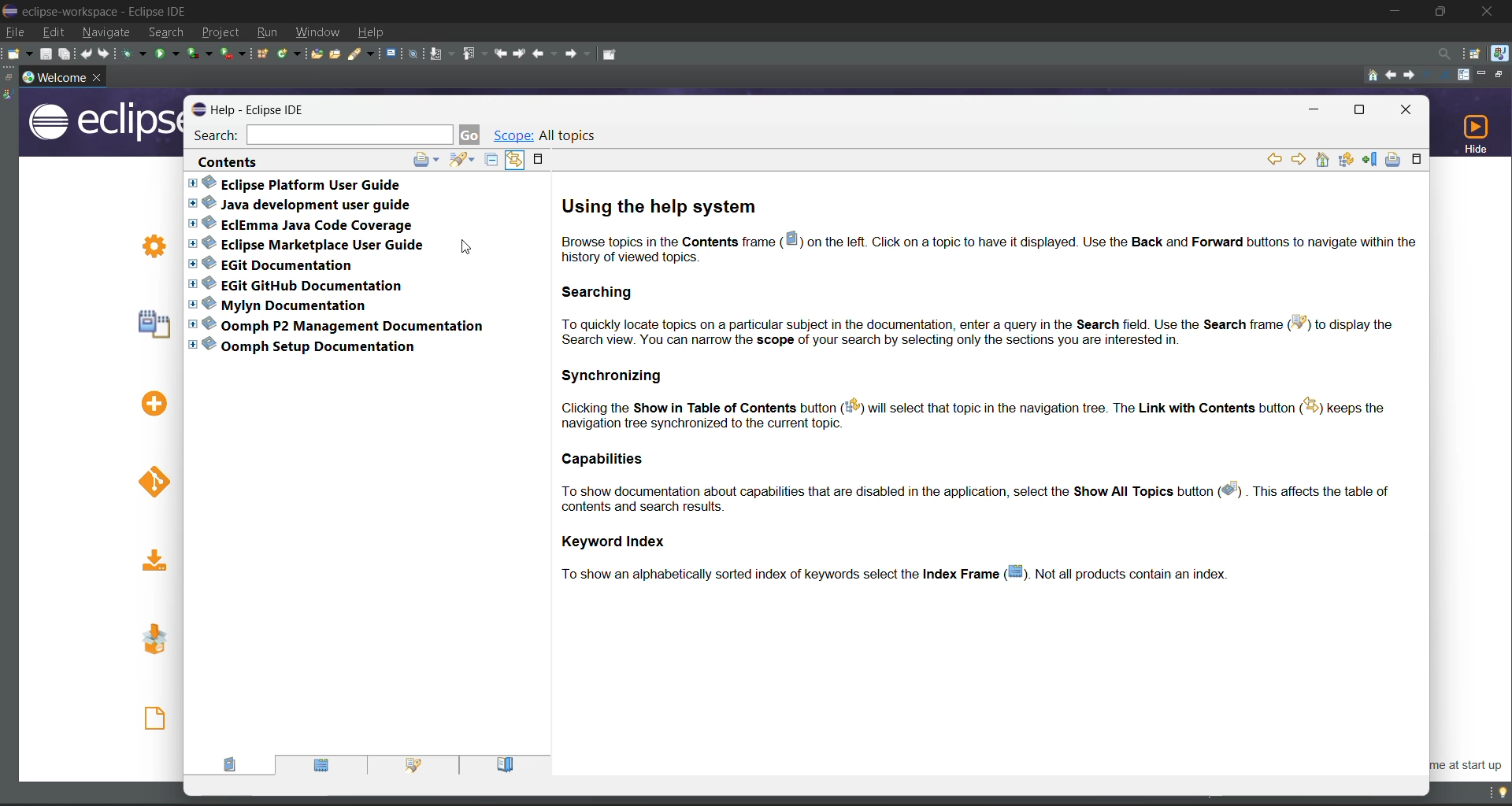 Image resolution: width=1512 pixels, height=806 pixels. What do you see at coordinates (1447, 74) in the screenshot?
I see `magnify` at bounding box center [1447, 74].